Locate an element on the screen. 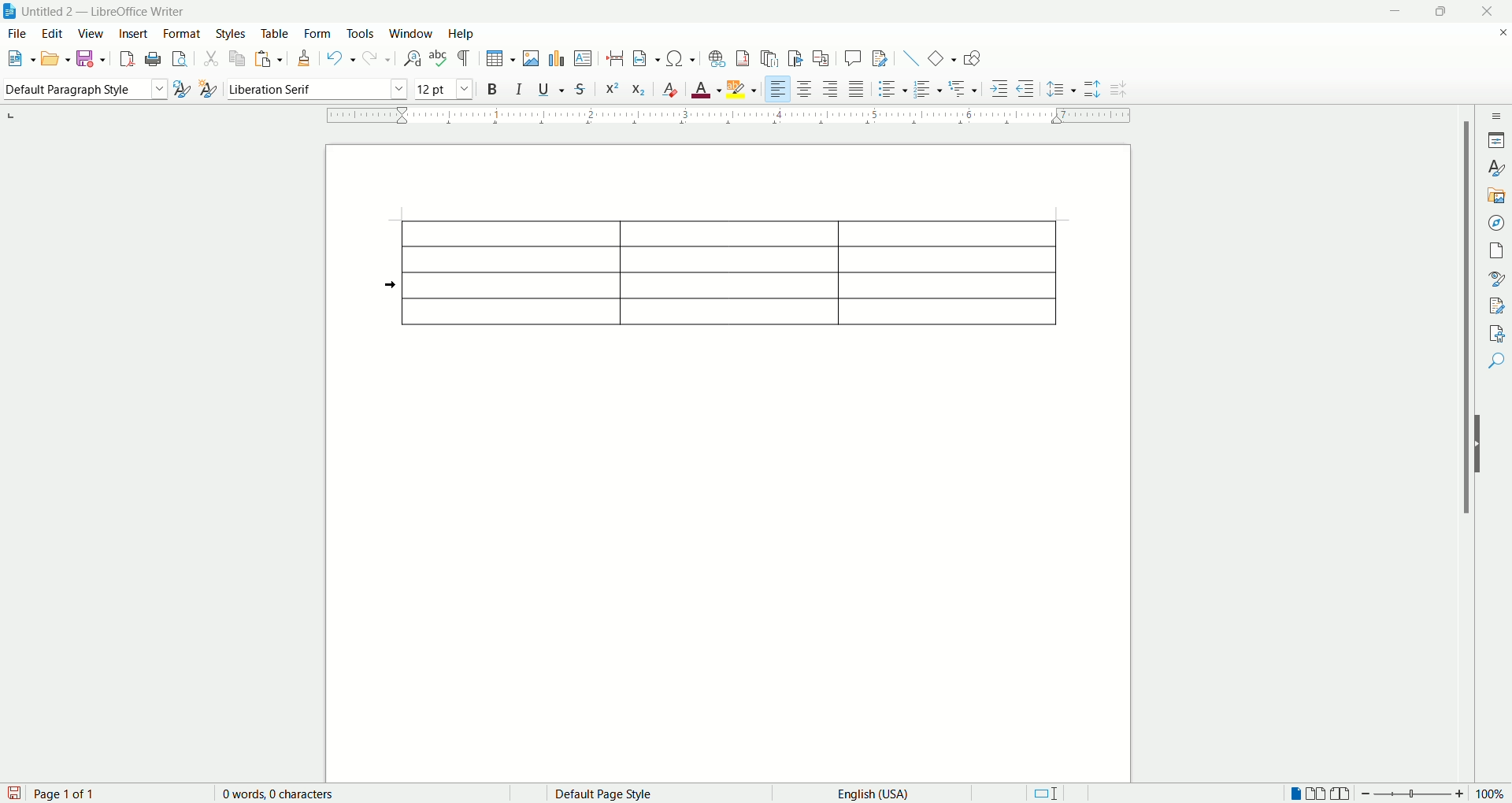 This screenshot has height=803, width=1512. navigation is located at coordinates (1497, 224).